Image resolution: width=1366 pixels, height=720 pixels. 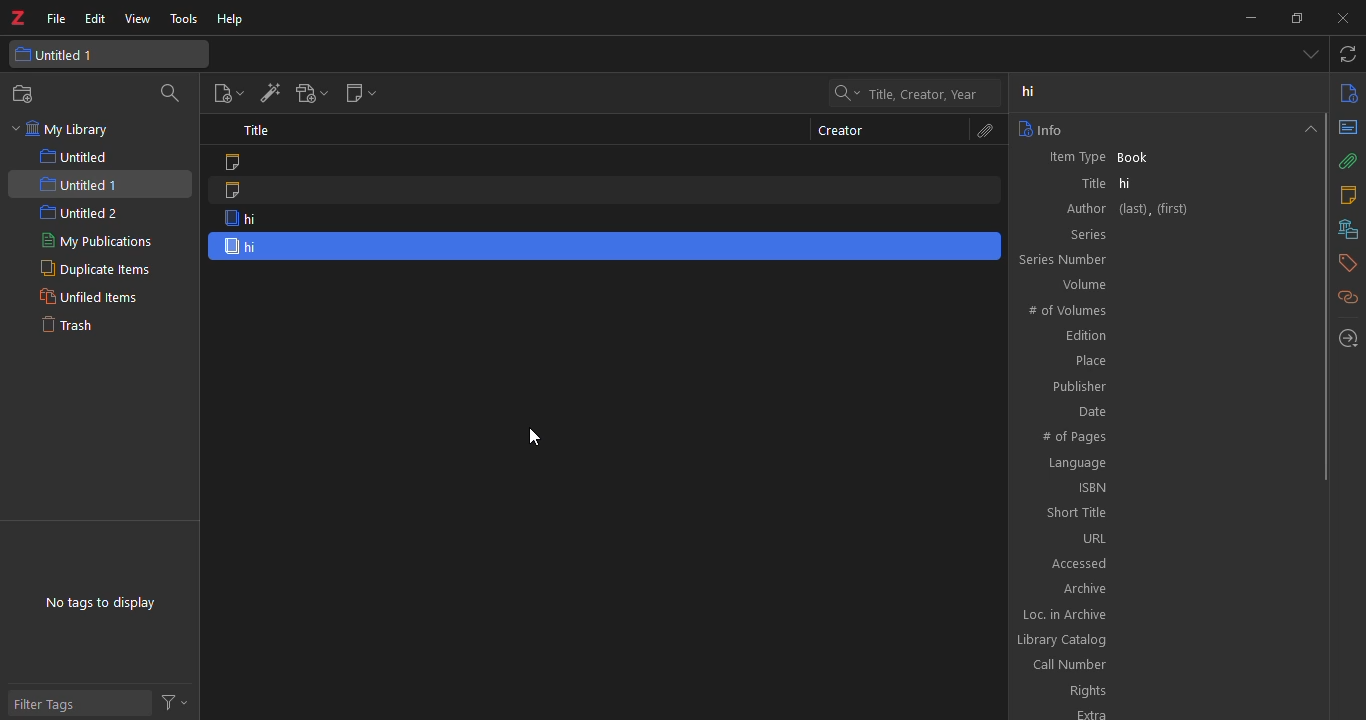 I want to click on edit, so click(x=92, y=20).